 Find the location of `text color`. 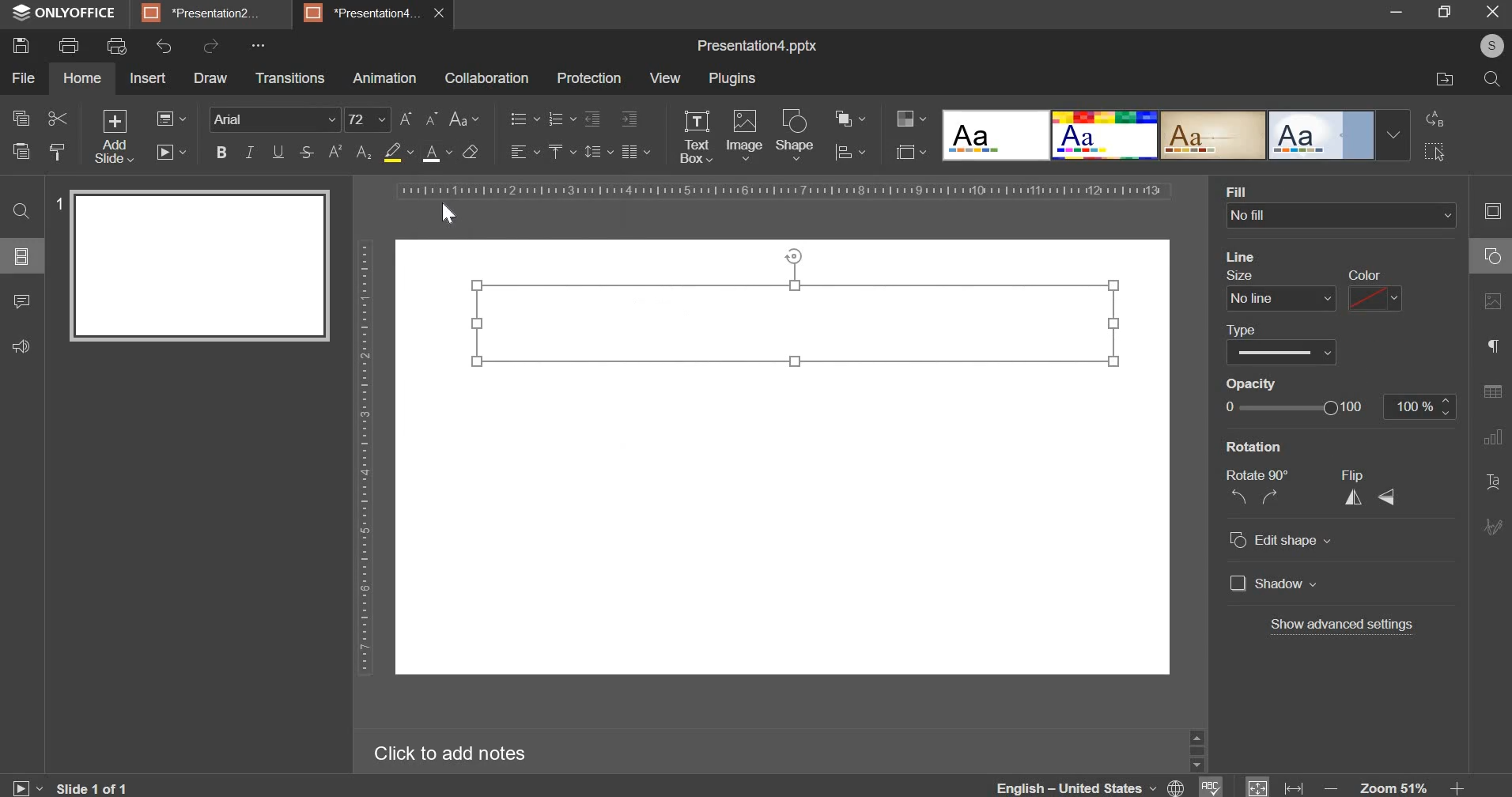

text color is located at coordinates (437, 153).